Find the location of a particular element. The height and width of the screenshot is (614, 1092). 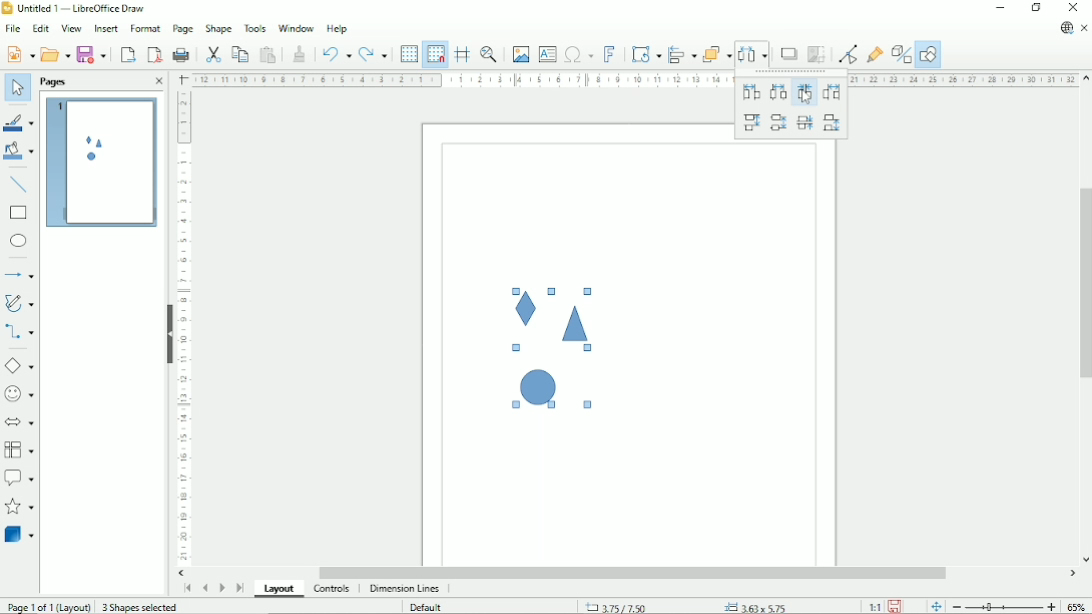

View is located at coordinates (71, 27).